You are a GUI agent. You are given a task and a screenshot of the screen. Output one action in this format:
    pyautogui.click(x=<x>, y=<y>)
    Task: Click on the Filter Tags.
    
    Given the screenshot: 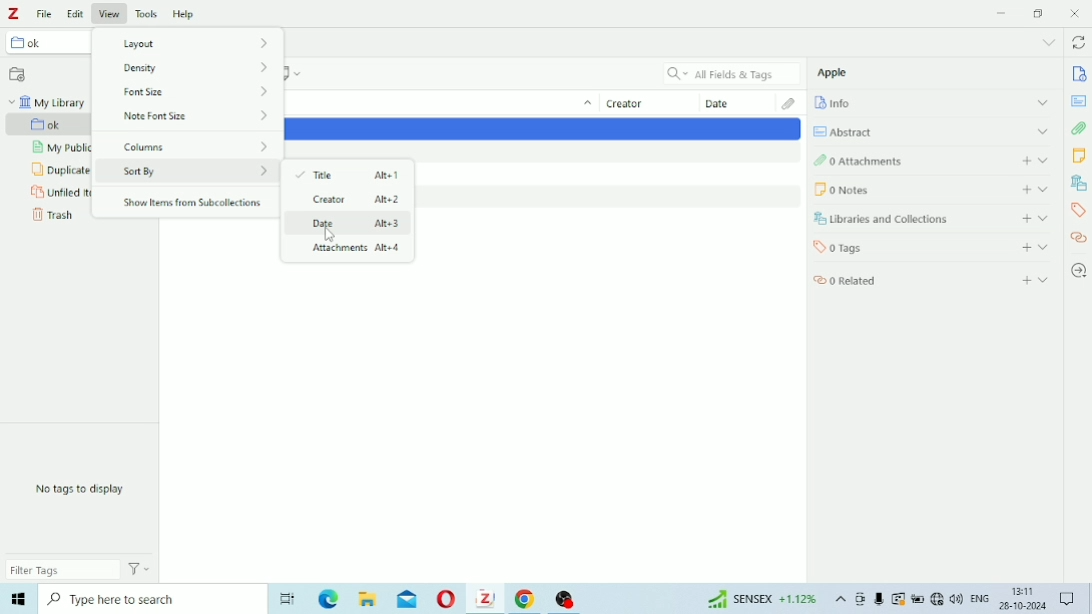 What is the action you would take?
    pyautogui.click(x=81, y=571)
    